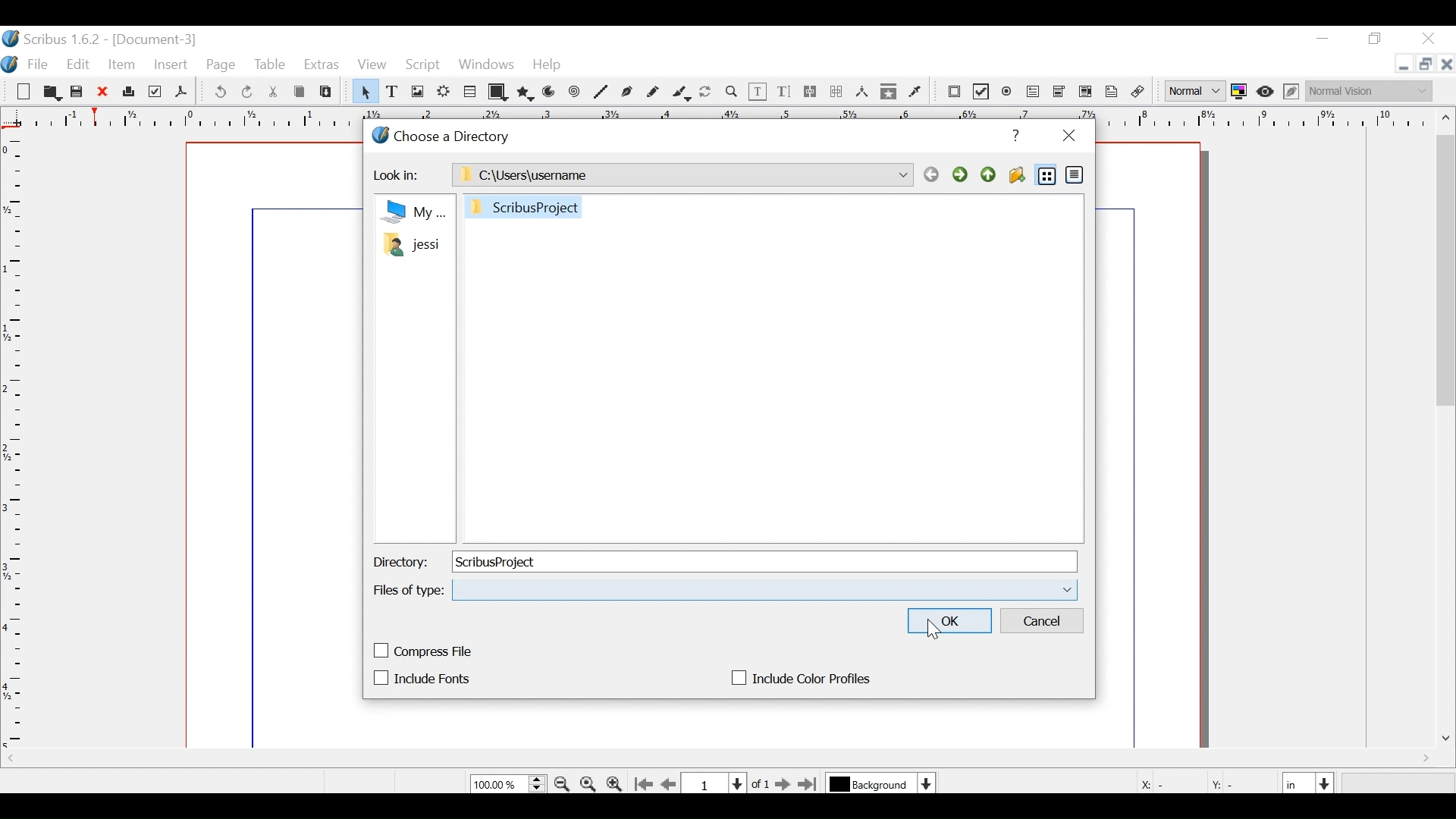 This screenshot has height=819, width=1456. Describe the element at coordinates (915, 92) in the screenshot. I see `Eyedropper` at that location.